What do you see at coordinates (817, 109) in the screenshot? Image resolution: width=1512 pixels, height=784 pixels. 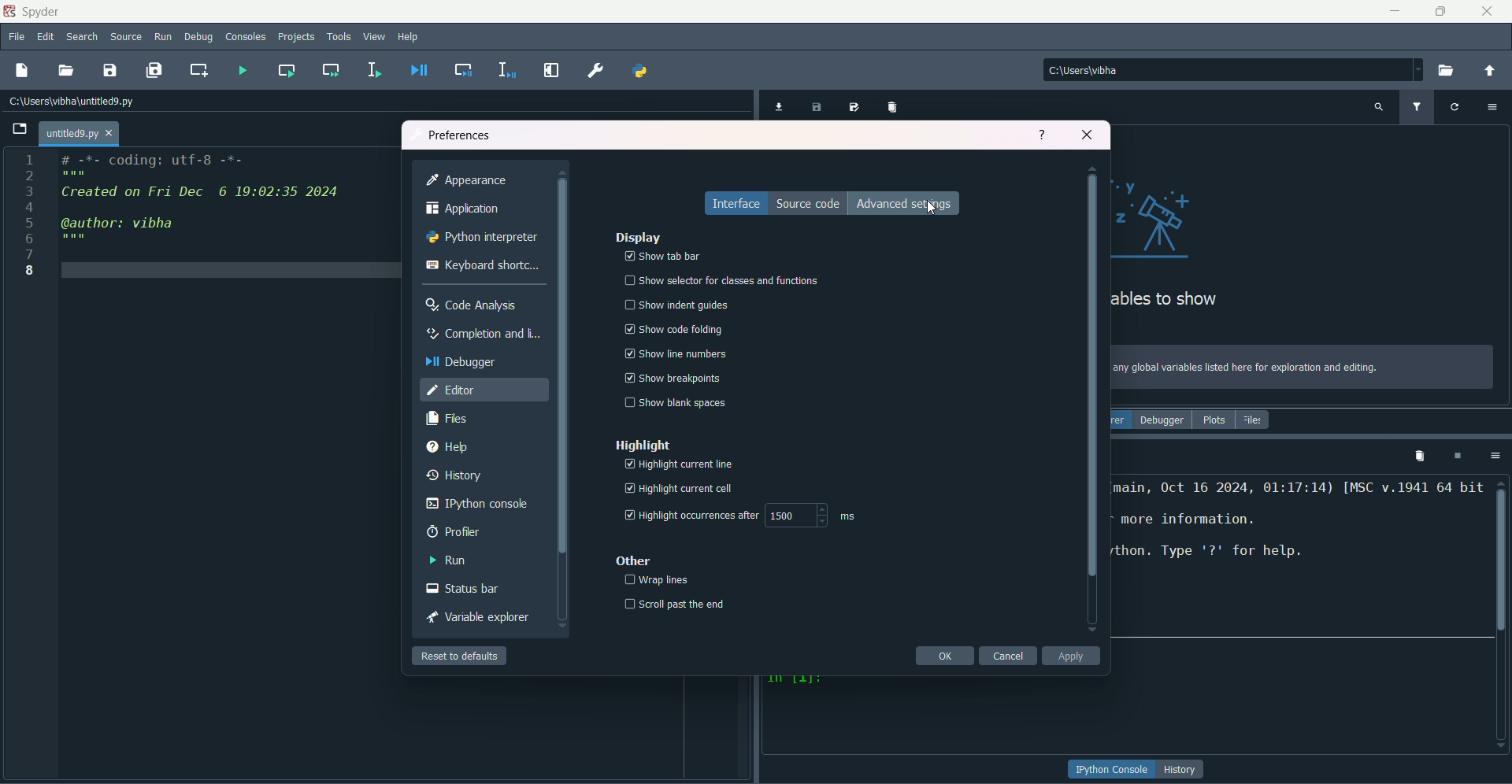 I see `save data` at bounding box center [817, 109].